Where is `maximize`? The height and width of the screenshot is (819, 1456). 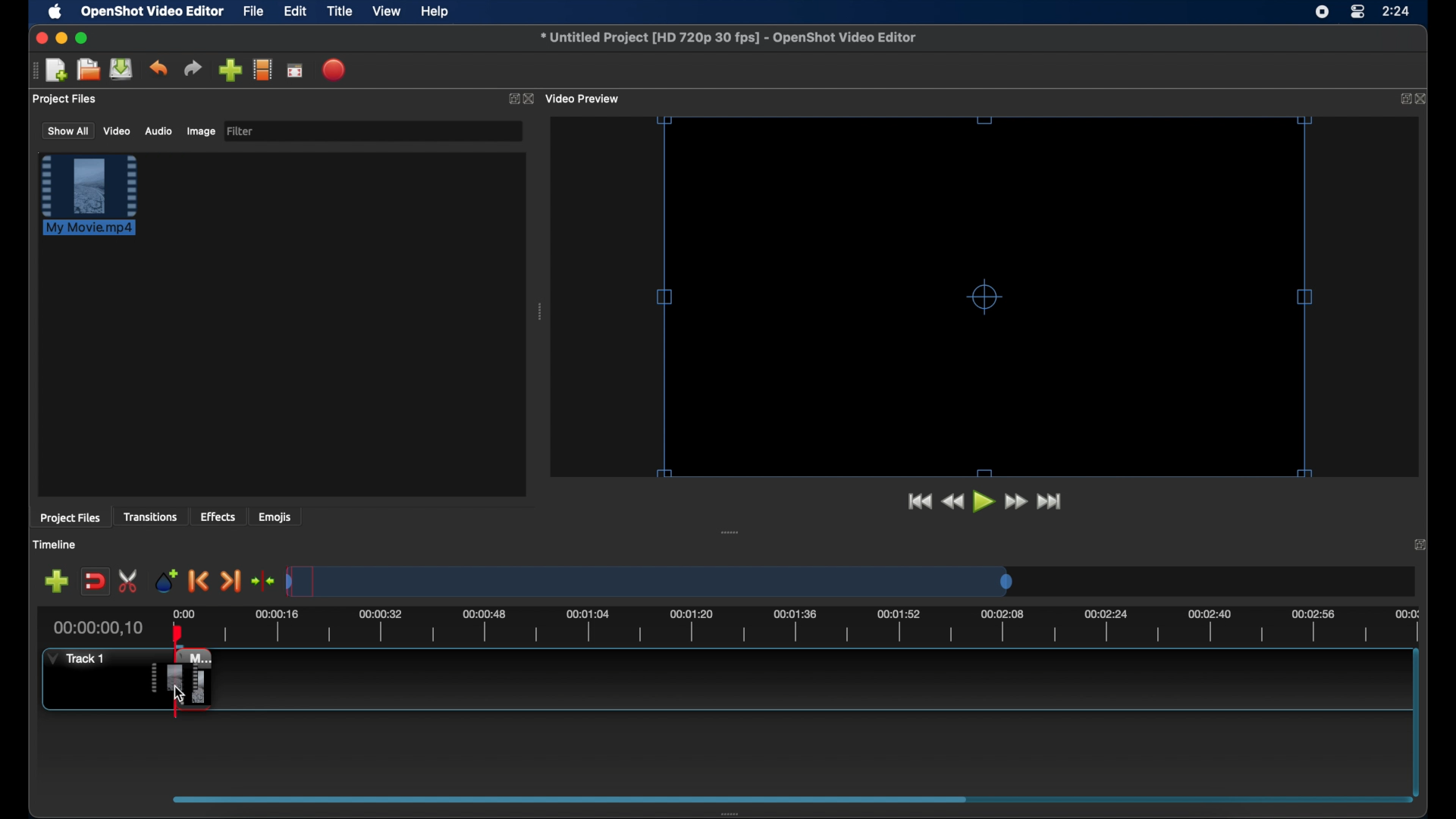
maximize is located at coordinates (83, 38).